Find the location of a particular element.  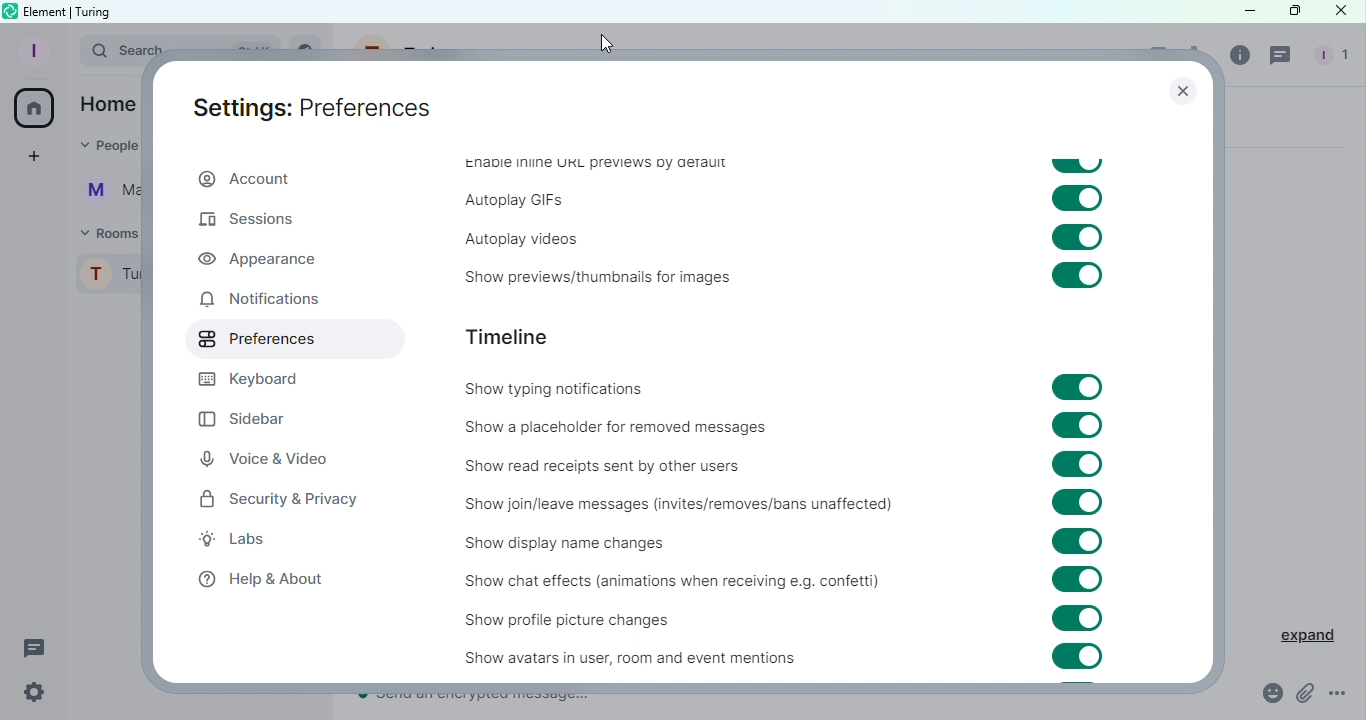

People is located at coordinates (1328, 57).